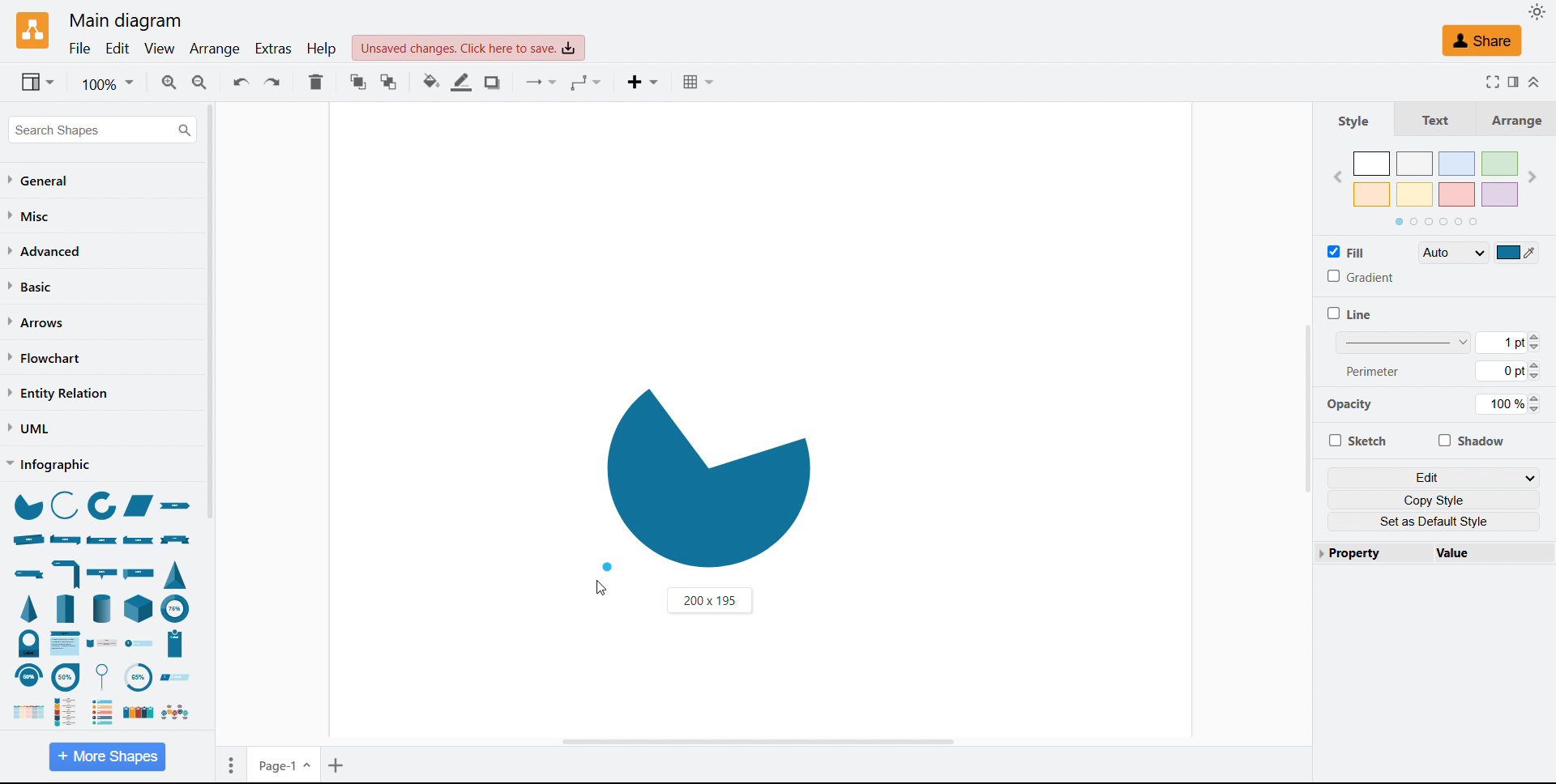 The height and width of the screenshot is (784, 1556). Describe the element at coordinates (175, 677) in the screenshot. I see `angled entry` at that location.